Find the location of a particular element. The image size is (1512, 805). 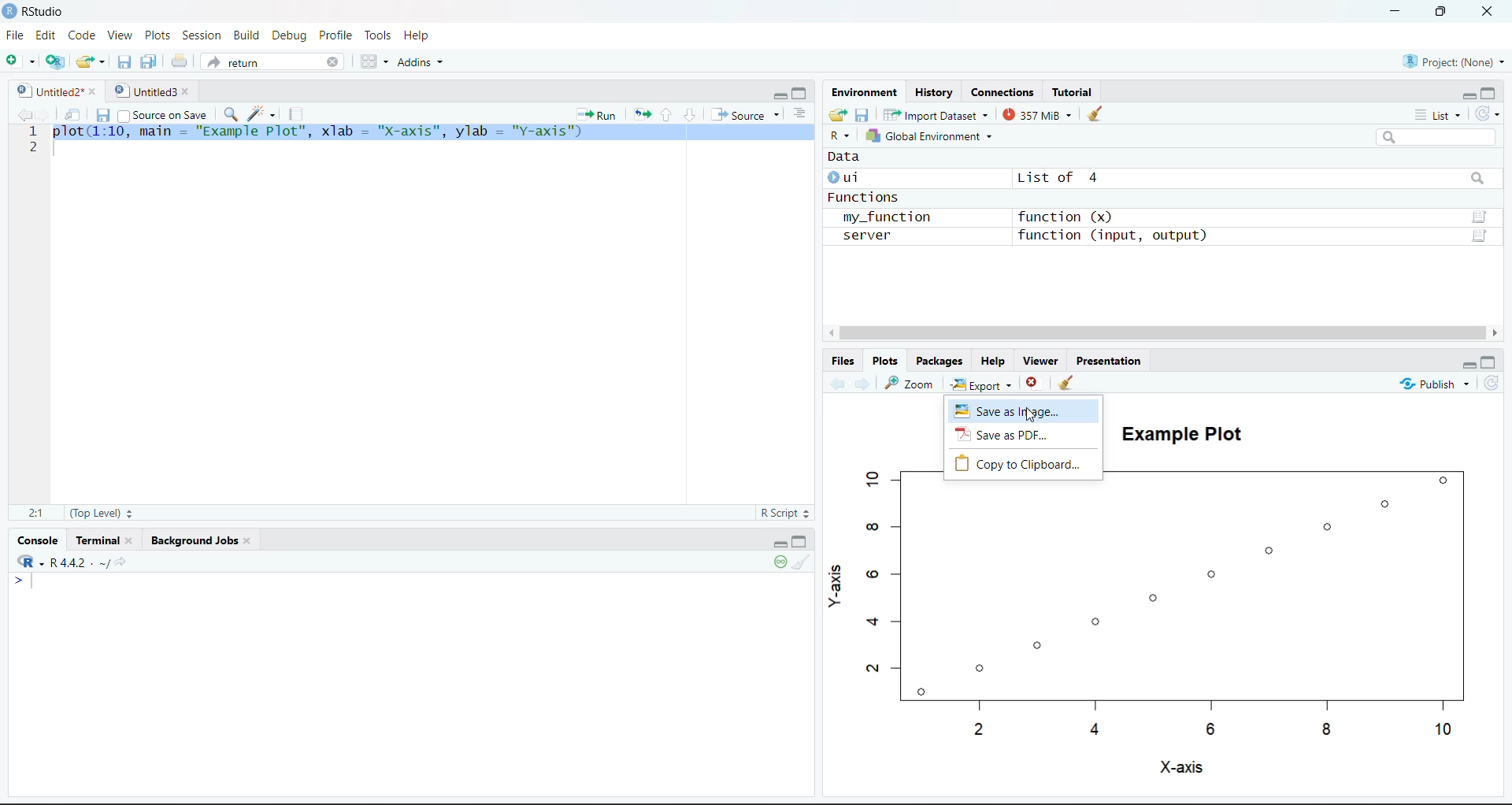

Go forward to the next source location (Ctrl + F10) is located at coordinates (860, 384).